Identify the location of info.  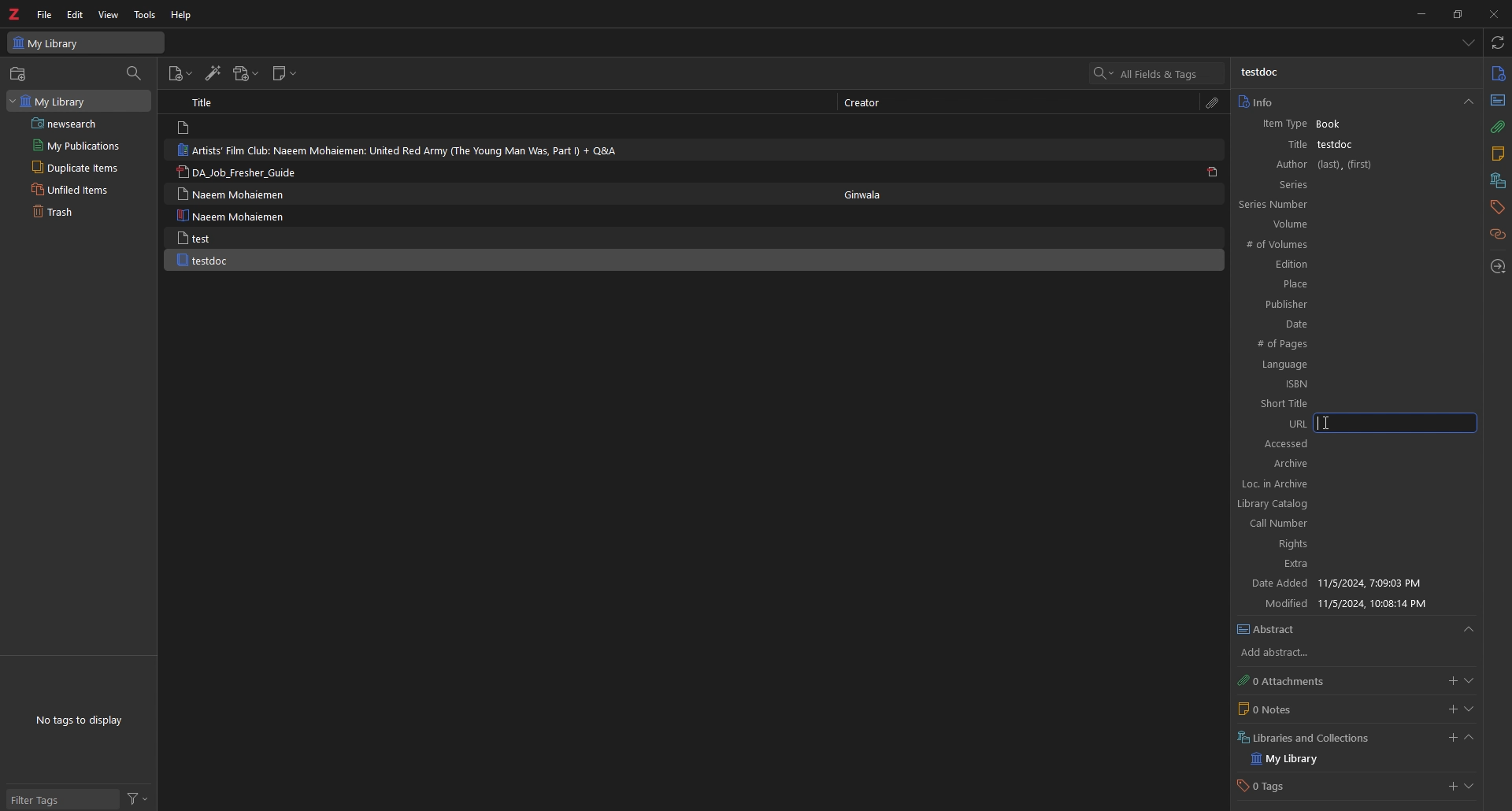
(1497, 73).